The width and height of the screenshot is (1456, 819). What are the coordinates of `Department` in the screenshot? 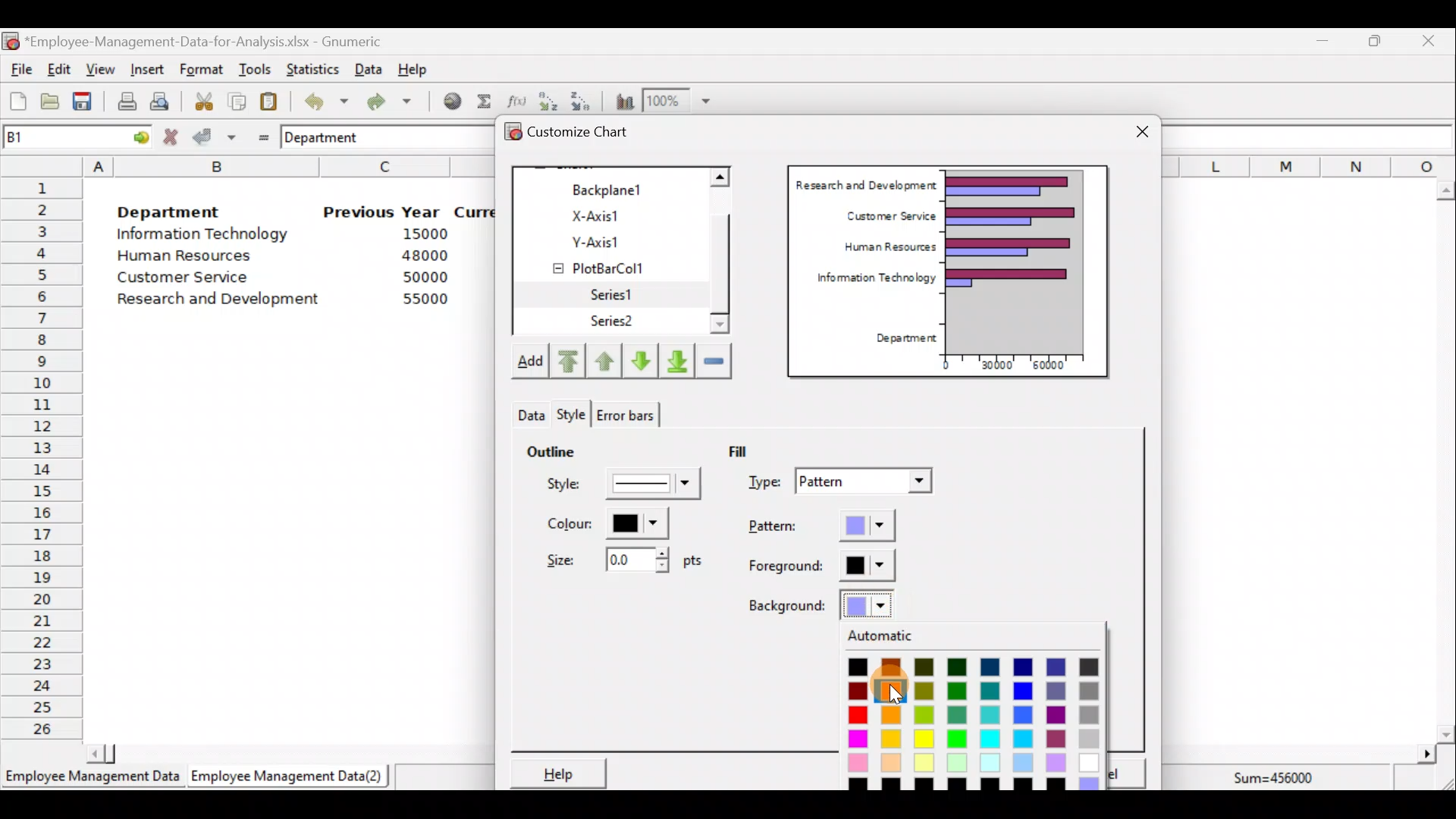 It's located at (901, 339).